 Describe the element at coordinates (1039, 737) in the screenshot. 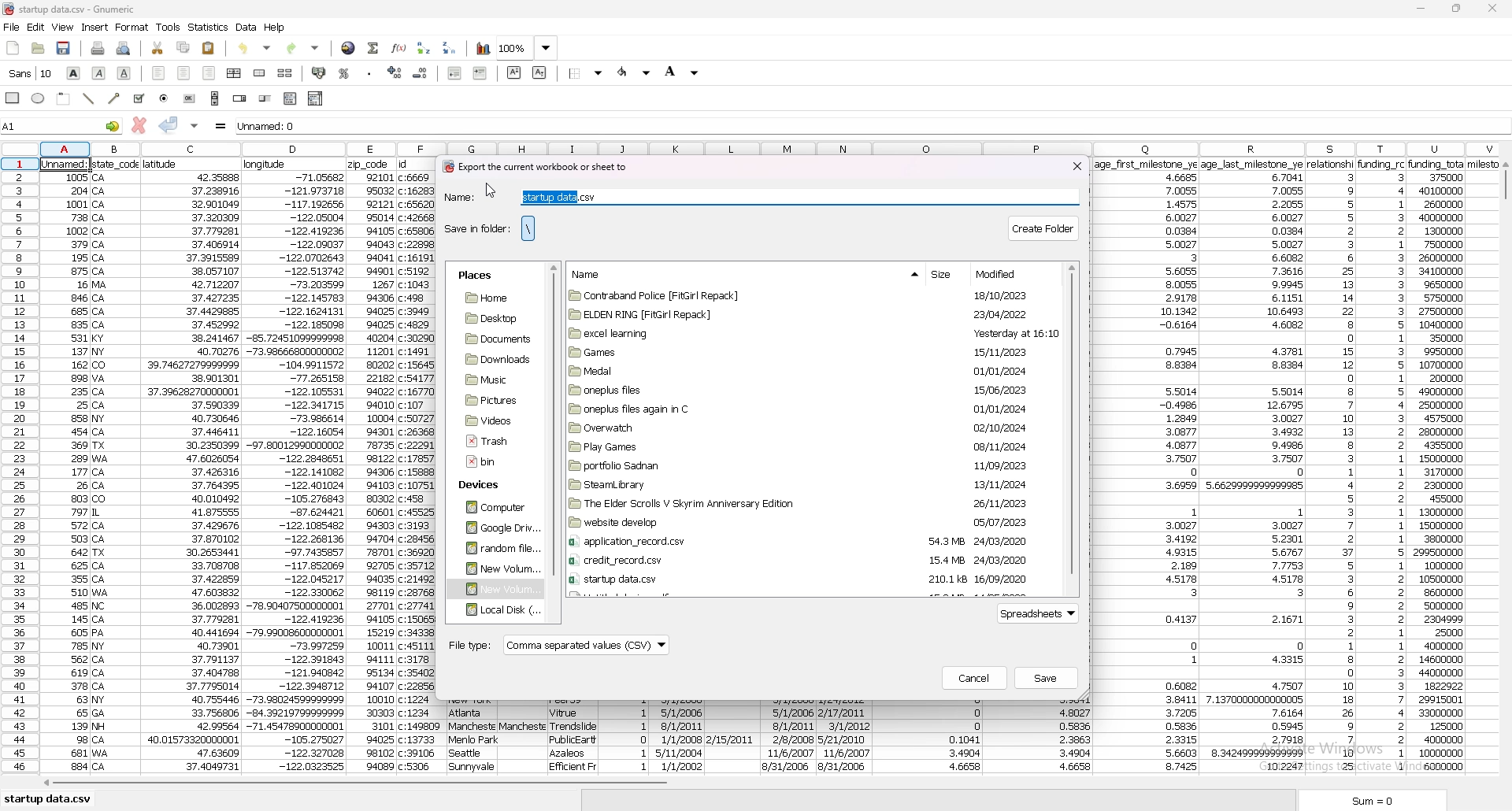

I see `data` at that location.